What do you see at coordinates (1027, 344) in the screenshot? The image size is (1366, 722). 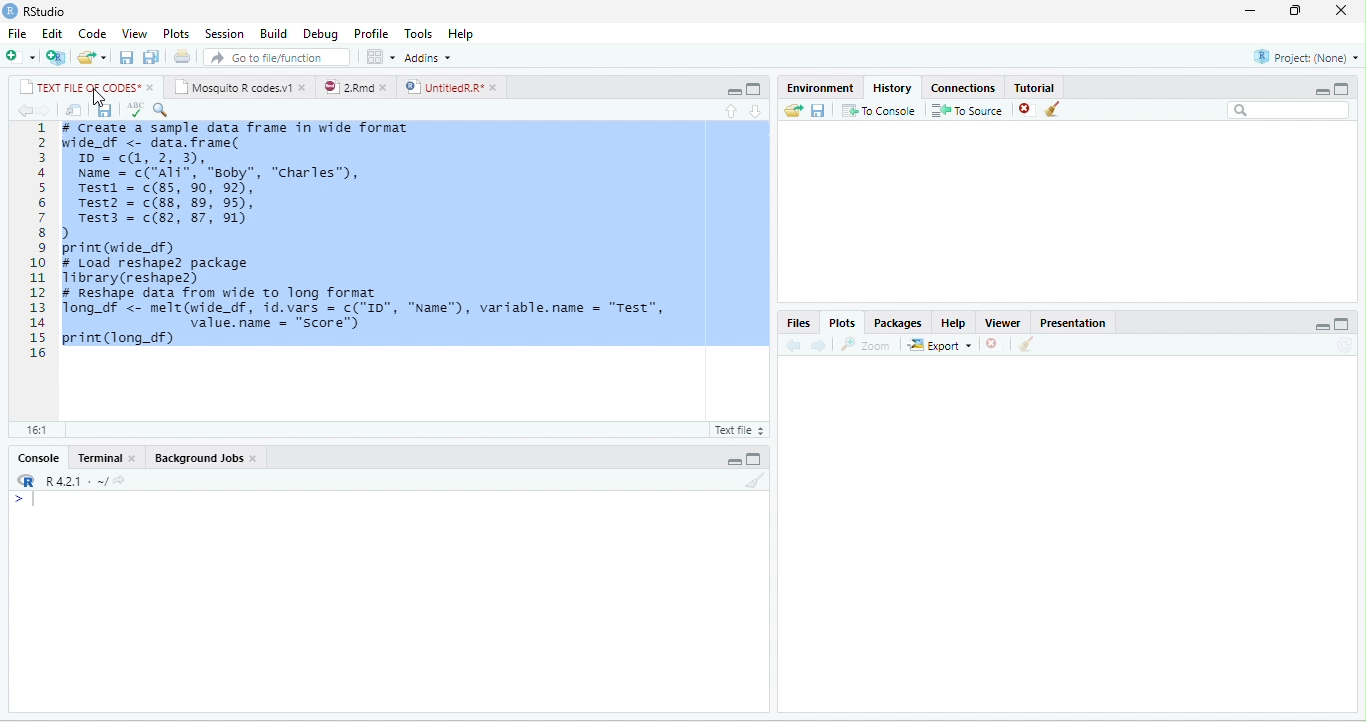 I see `clear` at bounding box center [1027, 344].